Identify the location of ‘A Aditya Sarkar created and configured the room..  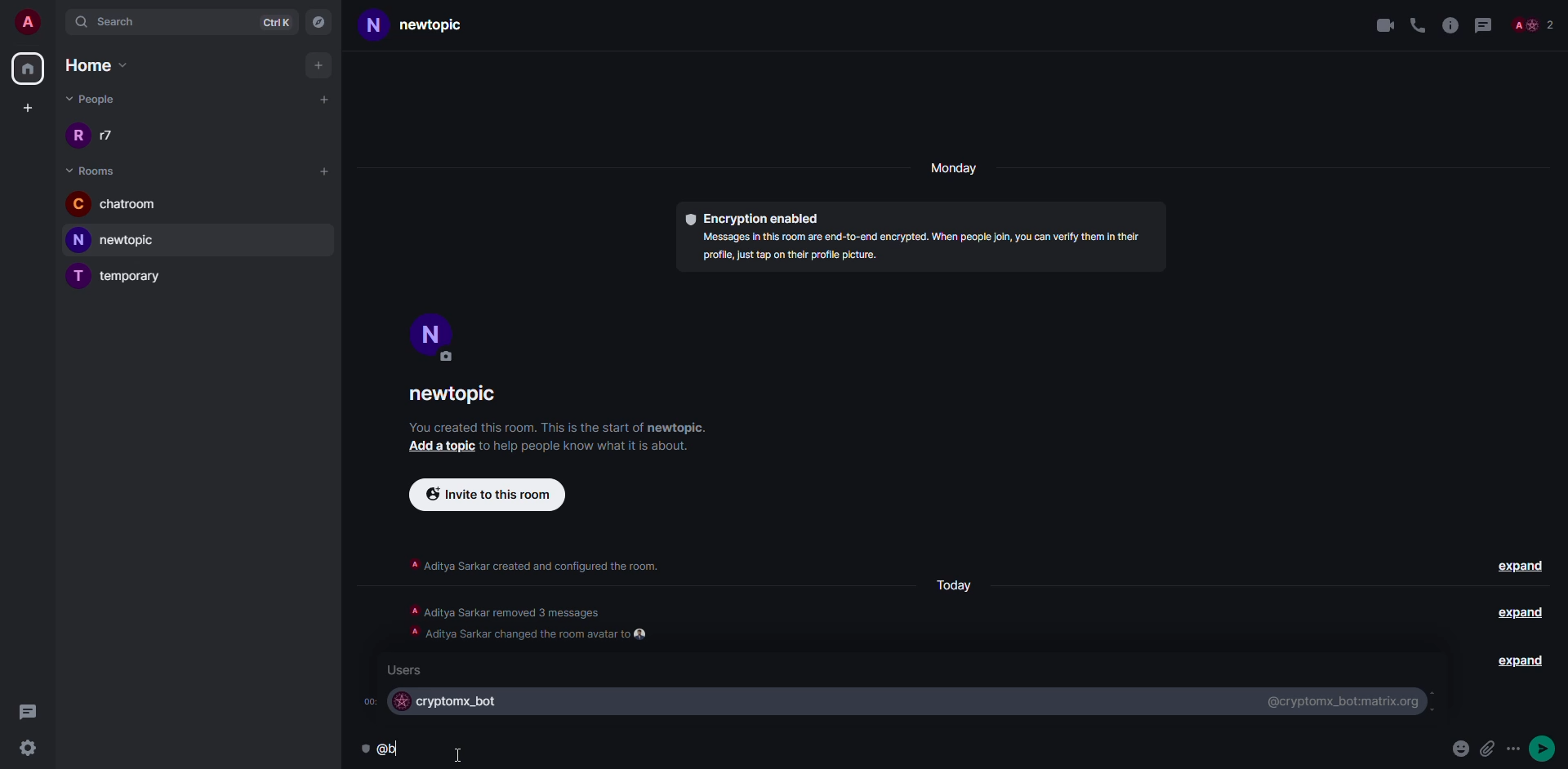
(534, 562).